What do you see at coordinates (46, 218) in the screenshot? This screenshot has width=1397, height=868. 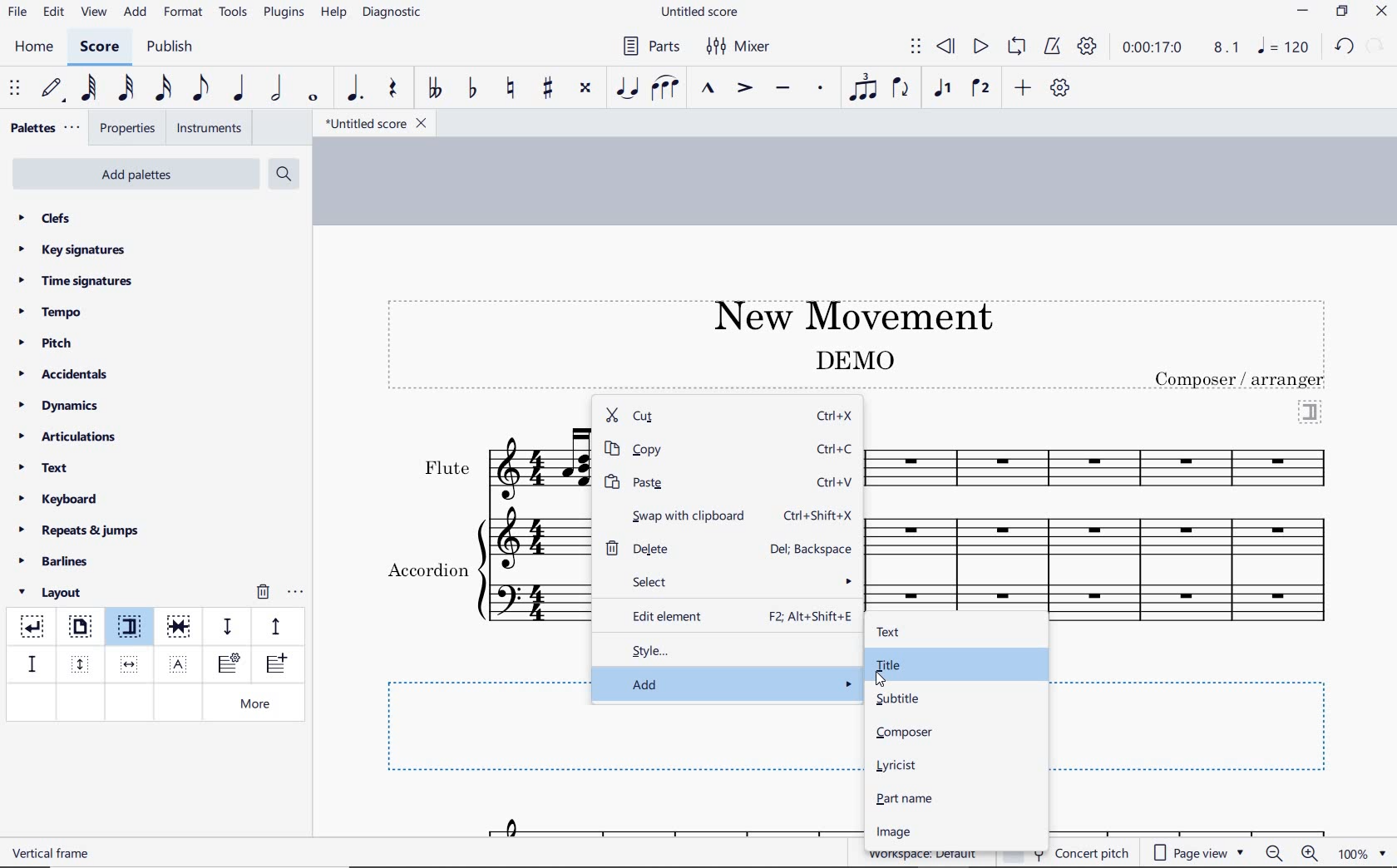 I see `clefs` at bounding box center [46, 218].